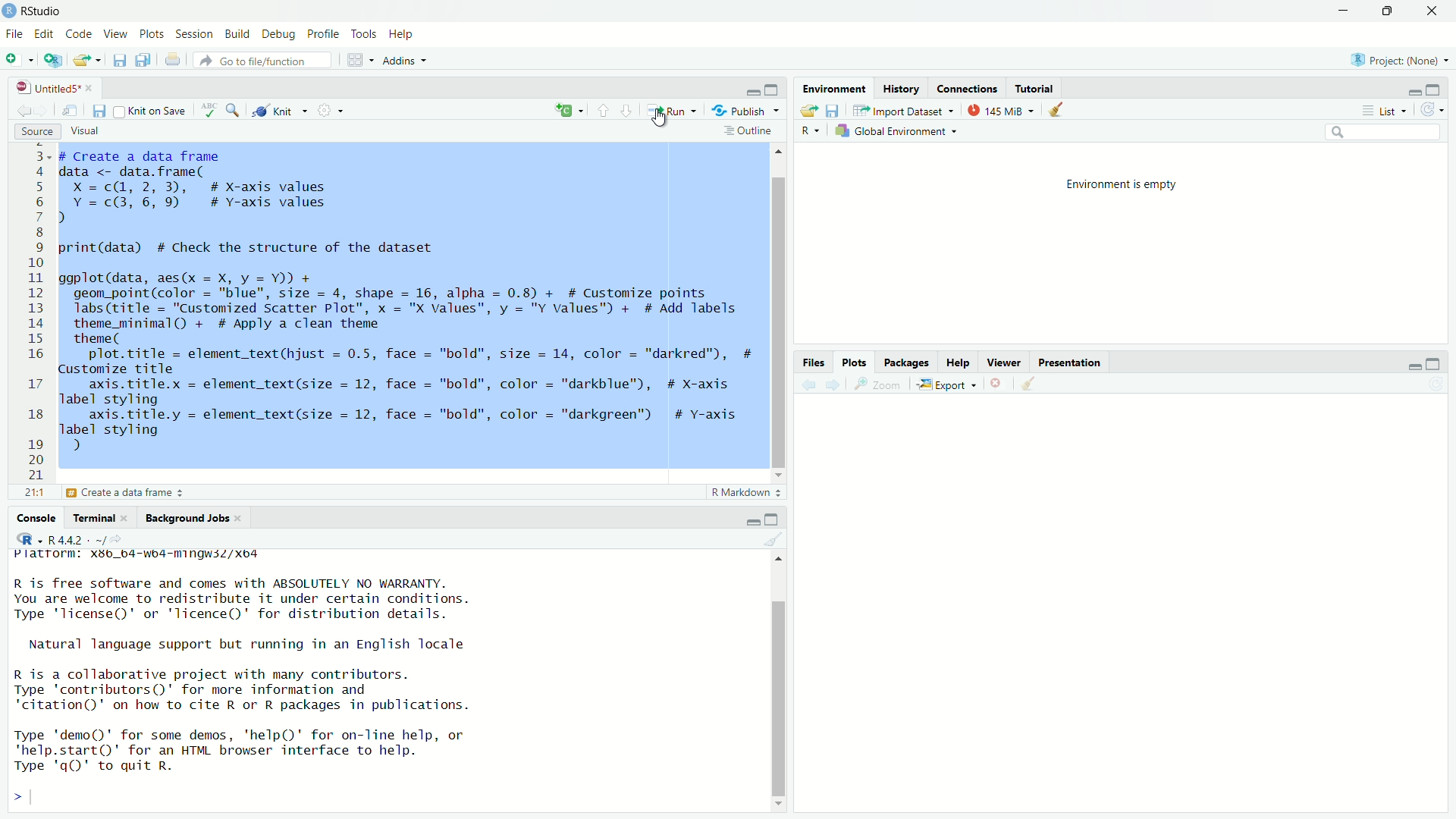 The height and width of the screenshot is (819, 1456). What do you see at coordinates (1345, 11) in the screenshot?
I see `minimize` at bounding box center [1345, 11].